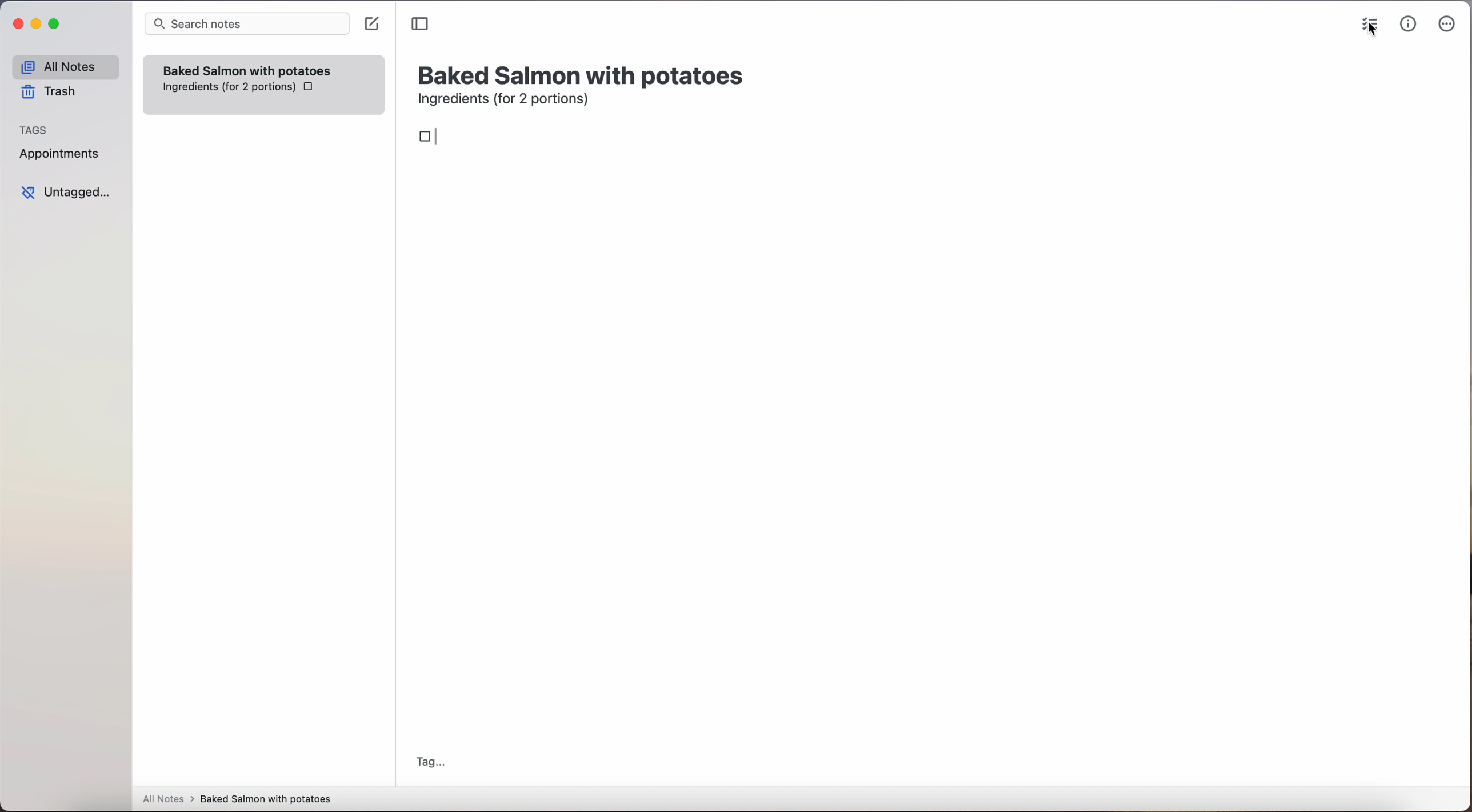 The image size is (1472, 812). What do you see at coordinates (507, 101) in the screenshot?
I see `ingredients (for 2 portions)` at bounding box center [507, 101].